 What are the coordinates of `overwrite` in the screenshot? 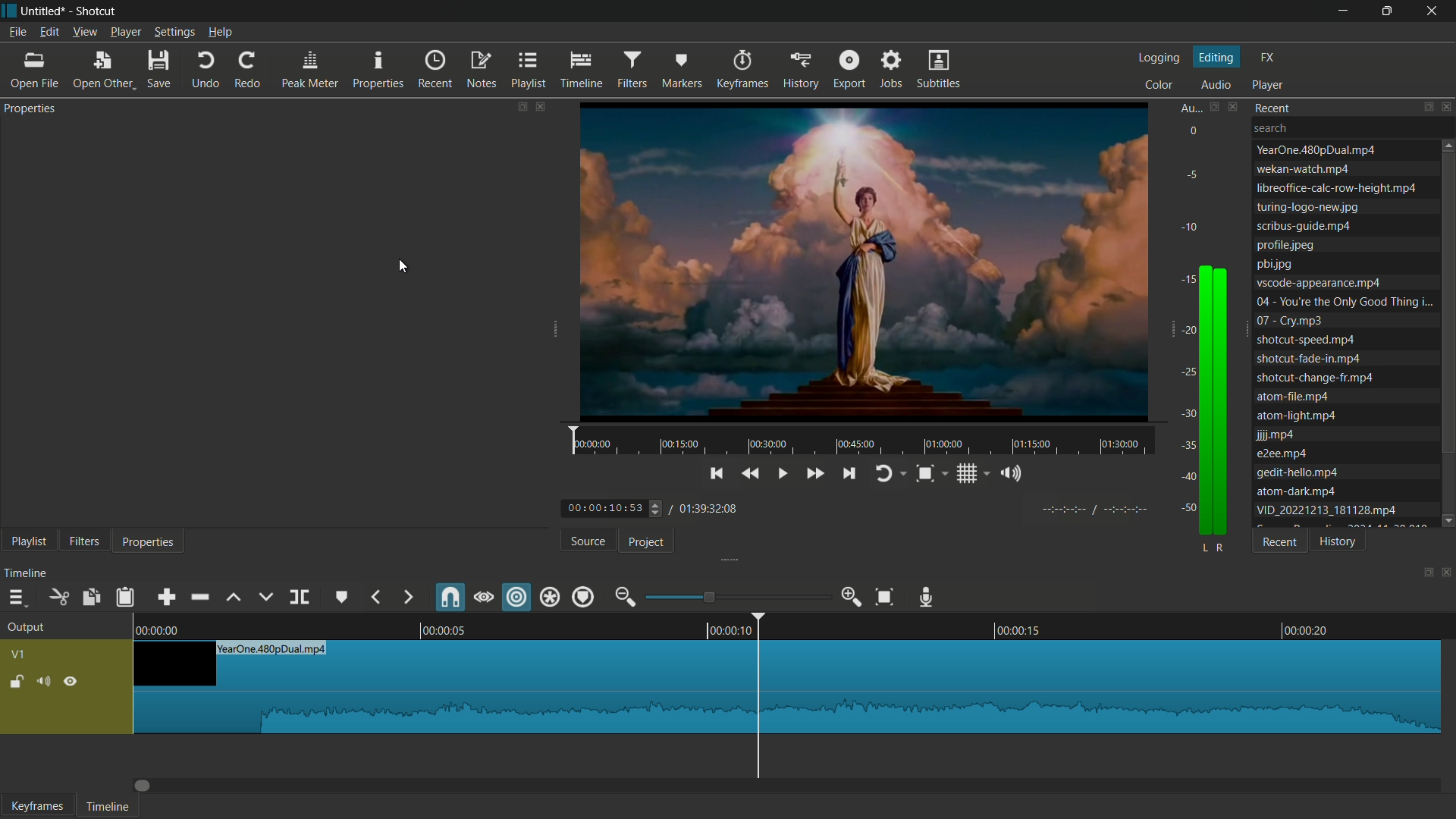 It's located at (265, 598).